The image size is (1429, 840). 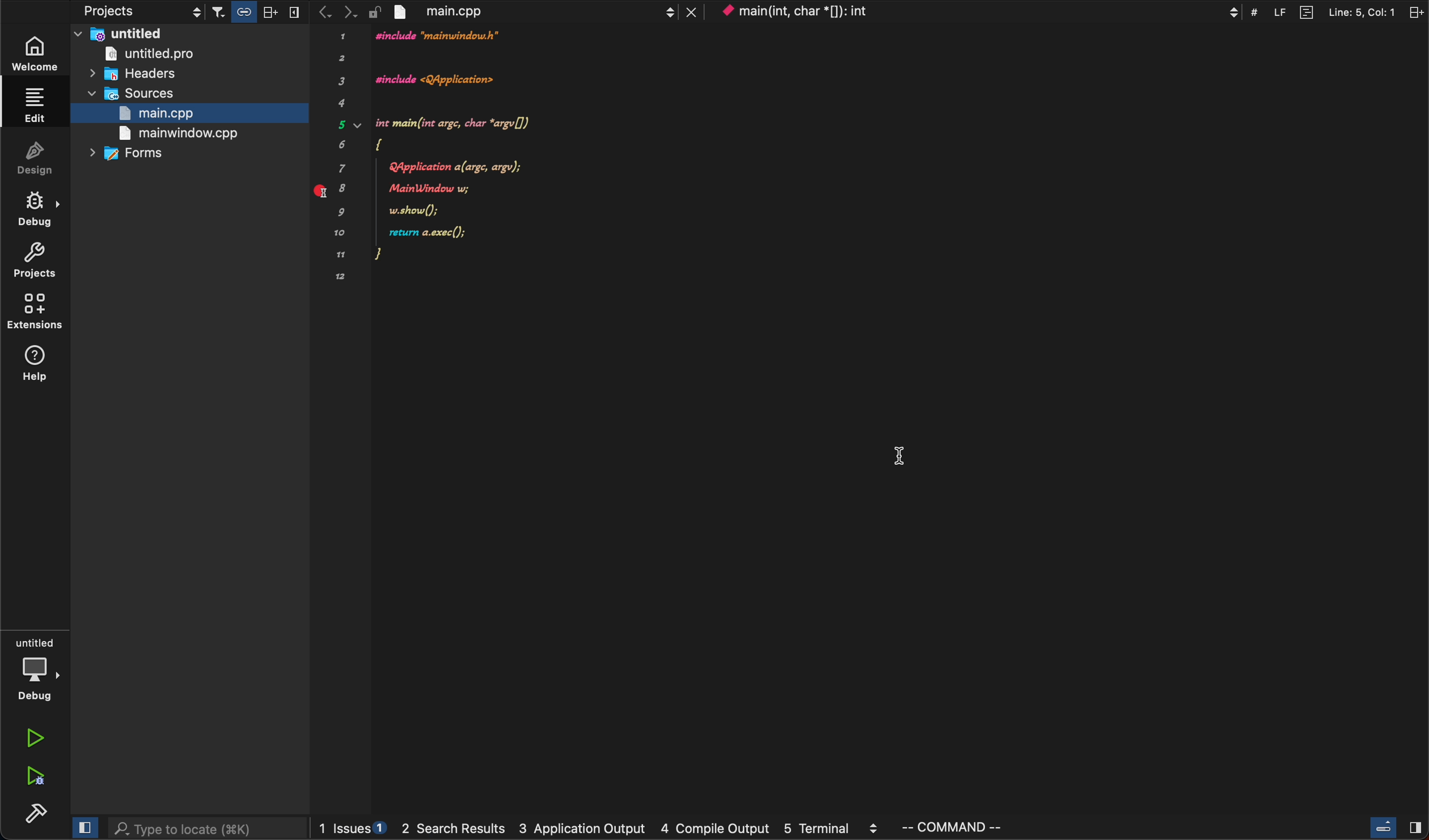 What do you see at coordinates (206, 830) in the screenshot?
I see `search bar` at bounding box center [206, 830].